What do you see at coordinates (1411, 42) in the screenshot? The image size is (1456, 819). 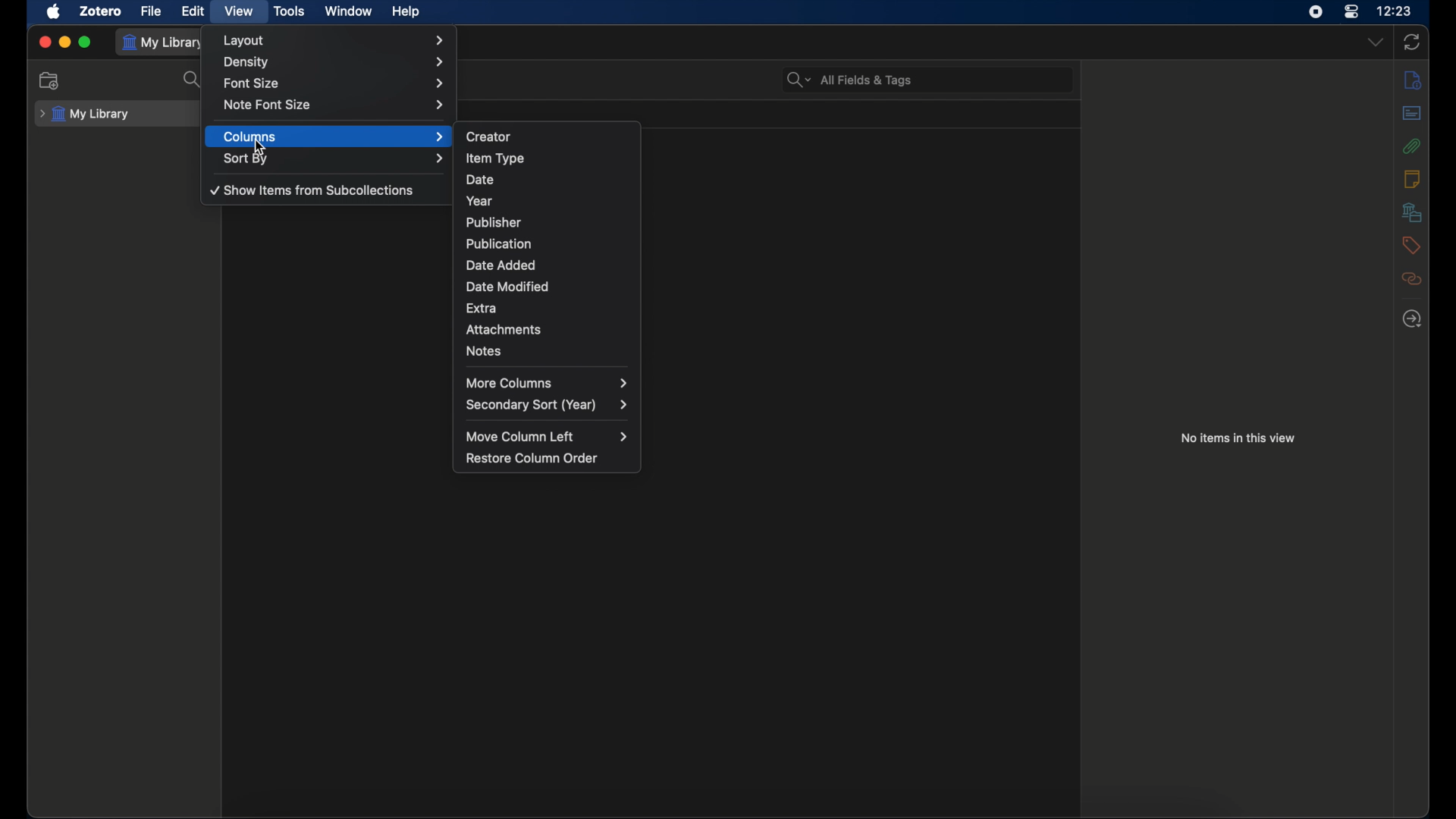 I see `sync` at bounding box center [1411, 42].